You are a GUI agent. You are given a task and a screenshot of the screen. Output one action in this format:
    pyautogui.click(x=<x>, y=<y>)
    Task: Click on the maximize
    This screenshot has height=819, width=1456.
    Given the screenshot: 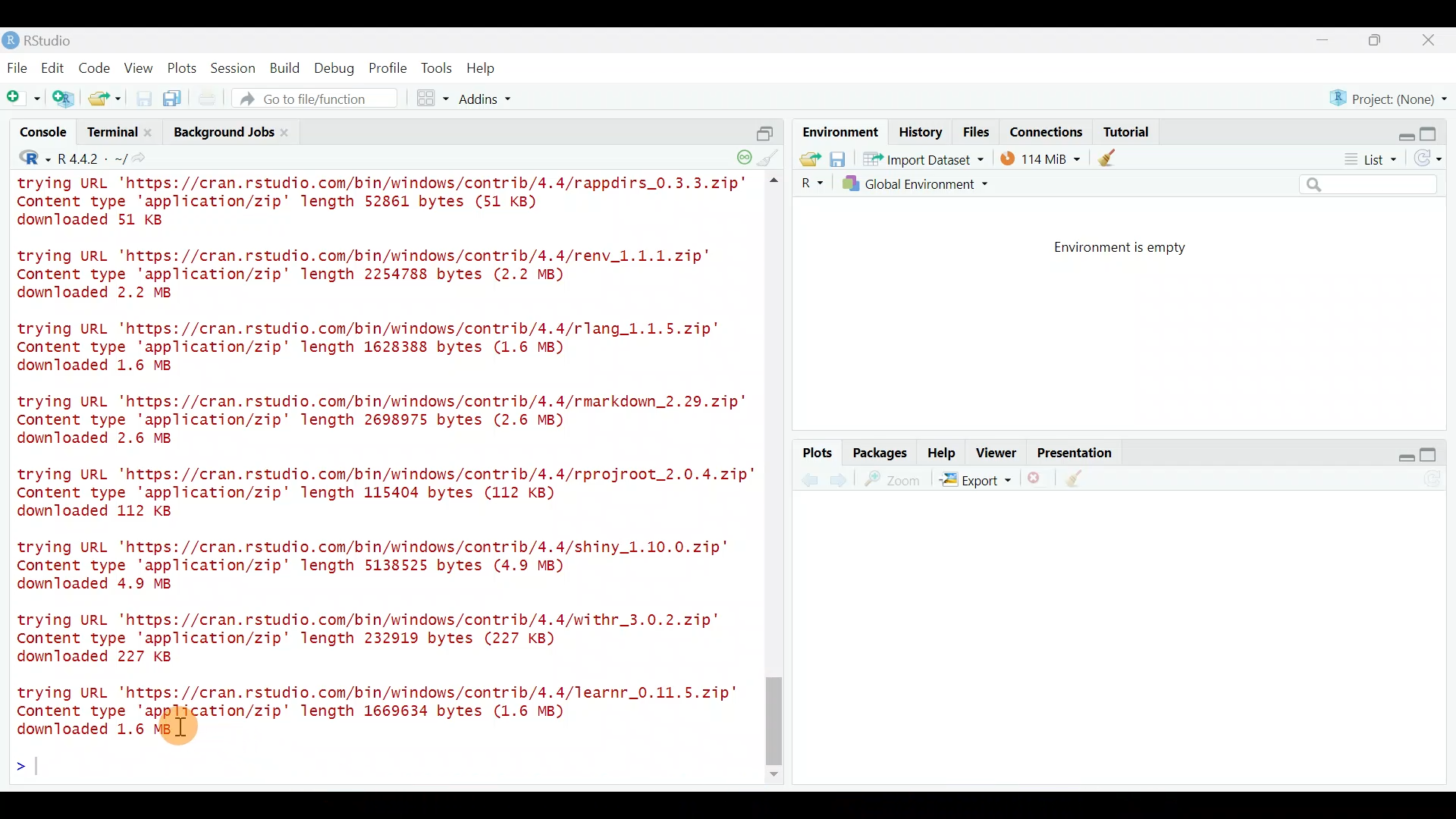 What is the action you would take?
    pyautogui.click(x=1379, y=39)
    